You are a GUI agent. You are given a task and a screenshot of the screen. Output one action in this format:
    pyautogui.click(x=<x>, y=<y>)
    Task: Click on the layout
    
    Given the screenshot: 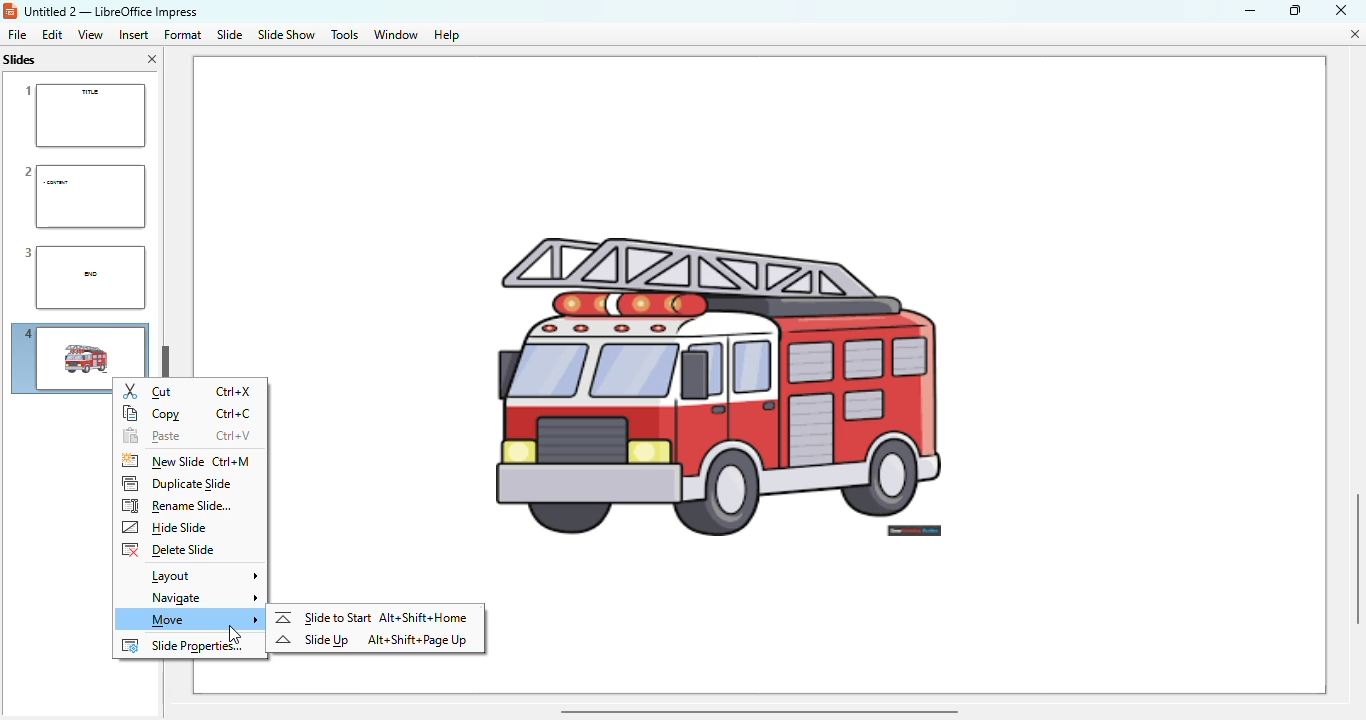 What is the action you would take?
    pyautogui.click(x=201, y=576)
    